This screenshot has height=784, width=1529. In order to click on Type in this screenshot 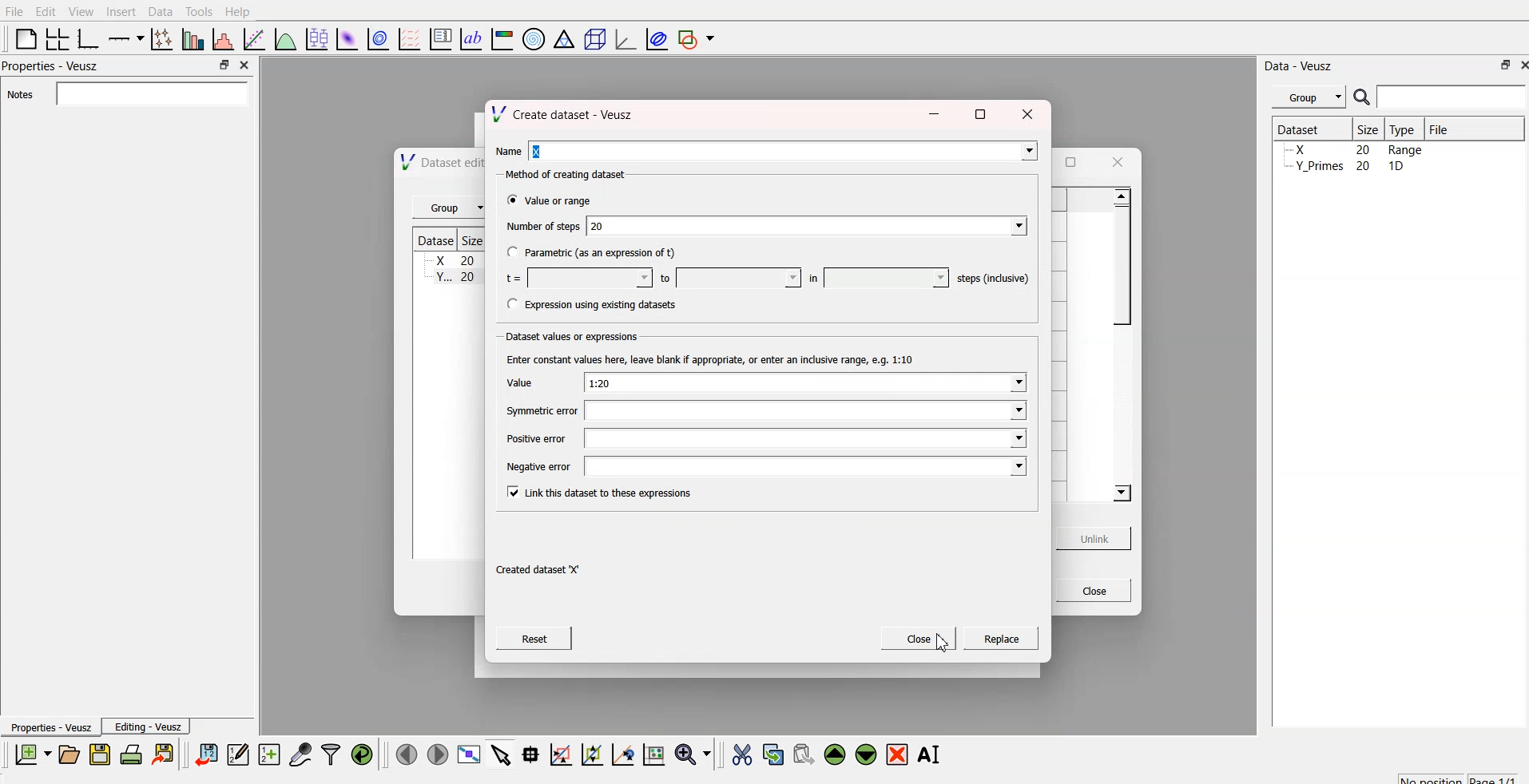, I will do `click(1406, 129)`.